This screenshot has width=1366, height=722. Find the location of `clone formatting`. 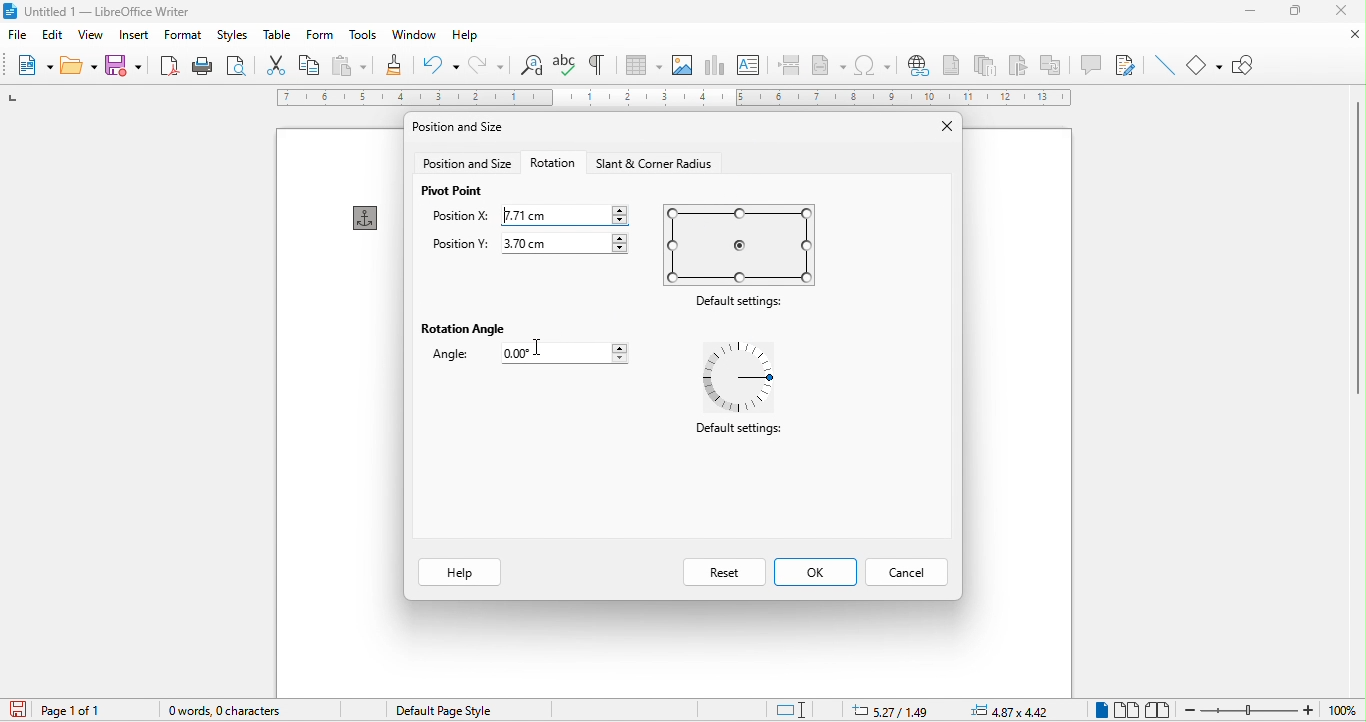

clone formatting is located at coordinates (392, 66).